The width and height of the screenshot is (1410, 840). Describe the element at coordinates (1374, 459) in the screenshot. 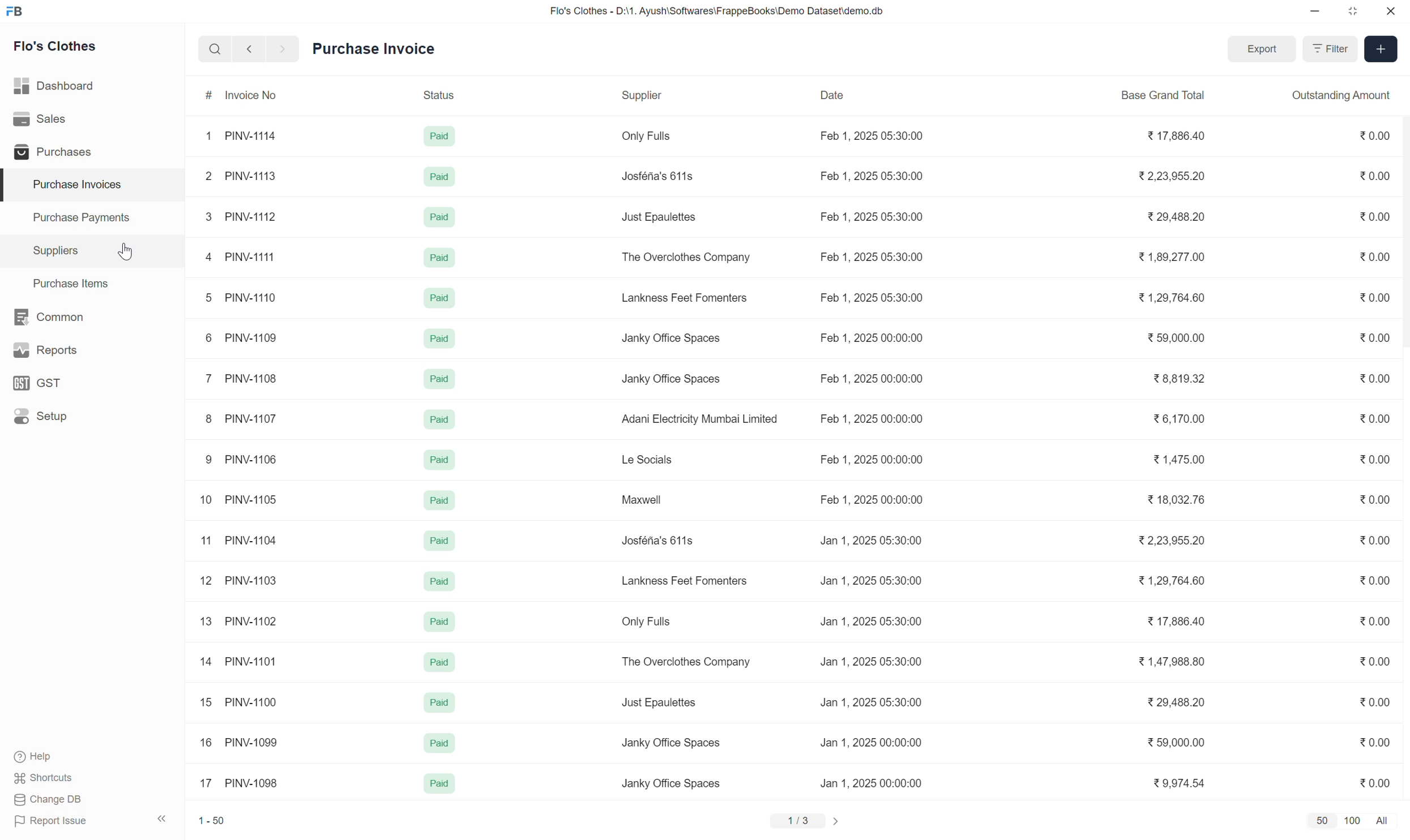

I see `0.00` at that location.